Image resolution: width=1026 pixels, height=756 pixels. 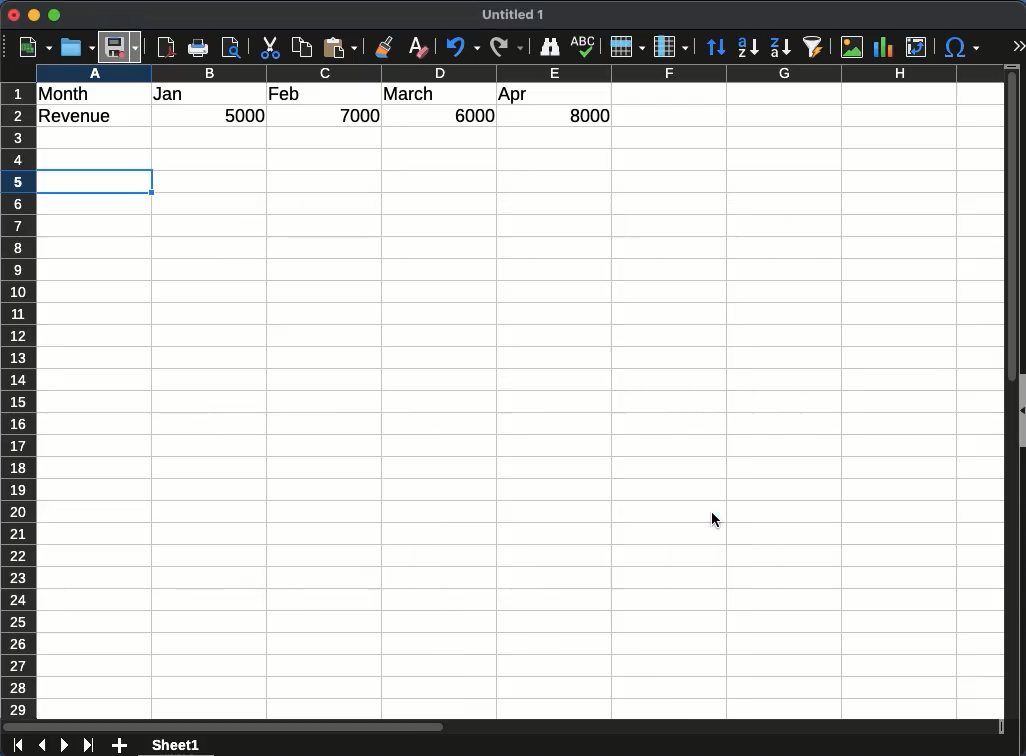 What do you see at coordinates (284, 93) in the screenshot?
I see `feb` at bounding box center [284, 93].